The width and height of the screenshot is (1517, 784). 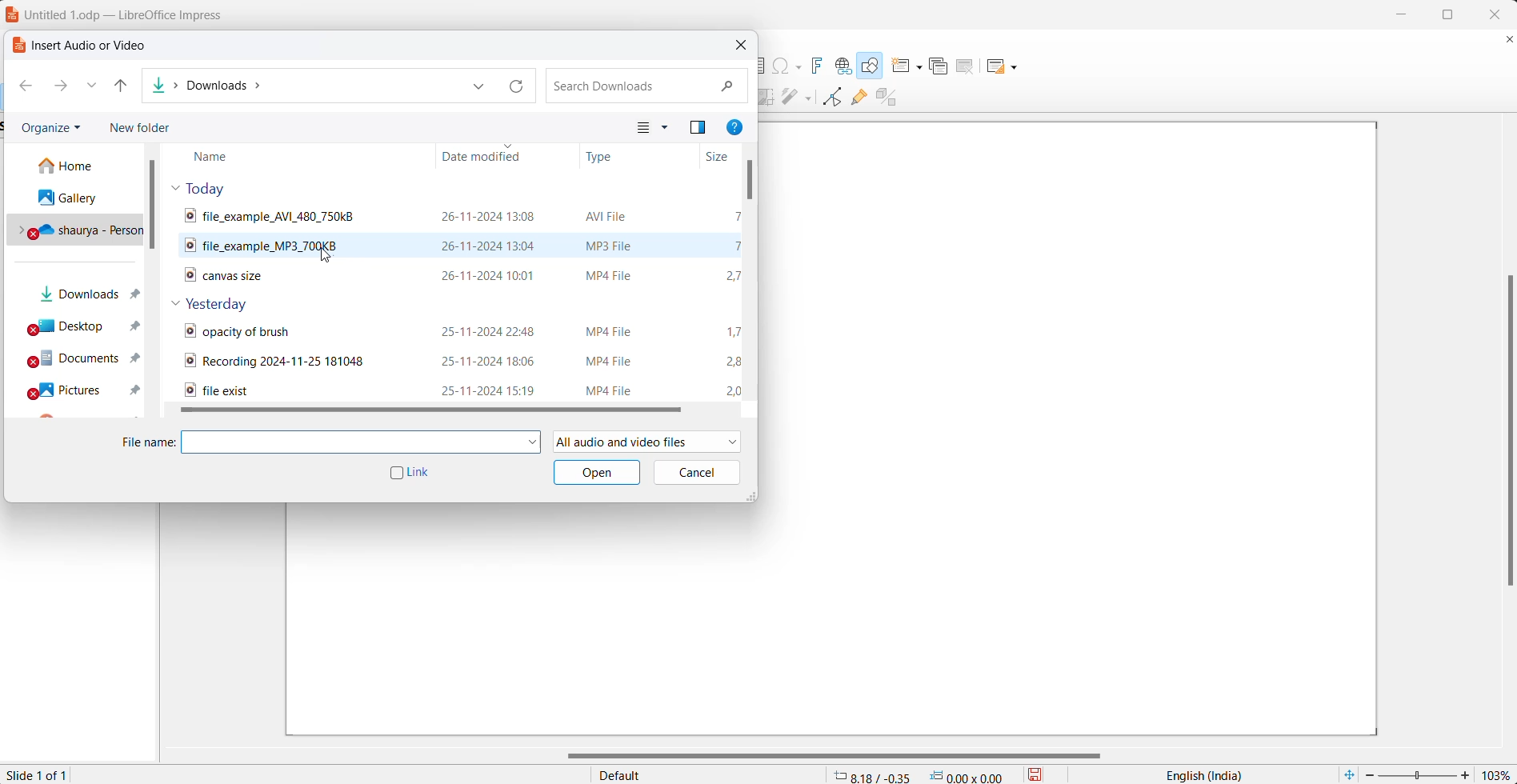 I want to click on insert special character, so click(x=788, y=66).